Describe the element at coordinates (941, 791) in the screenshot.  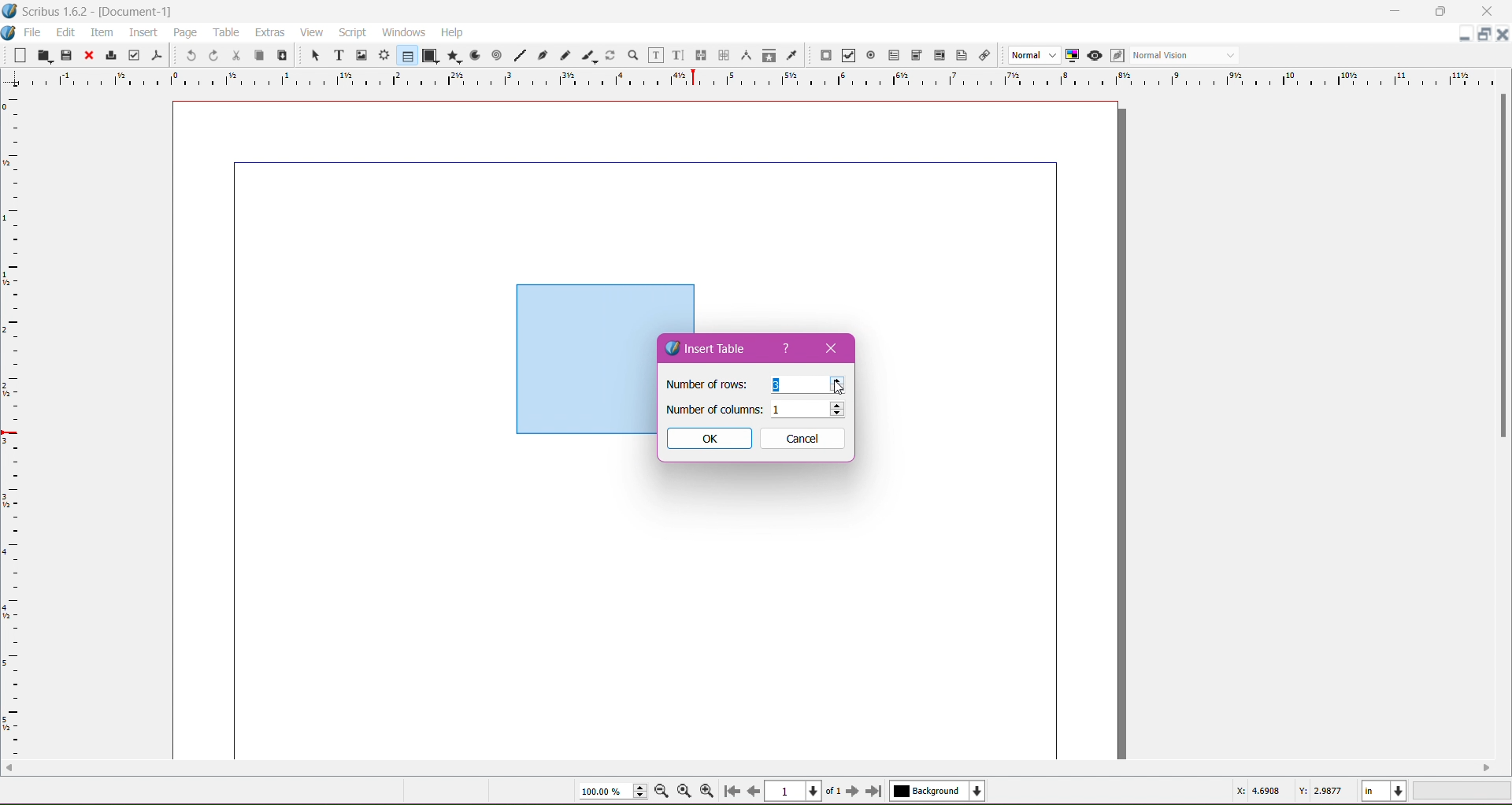
I see `Background` at that location.